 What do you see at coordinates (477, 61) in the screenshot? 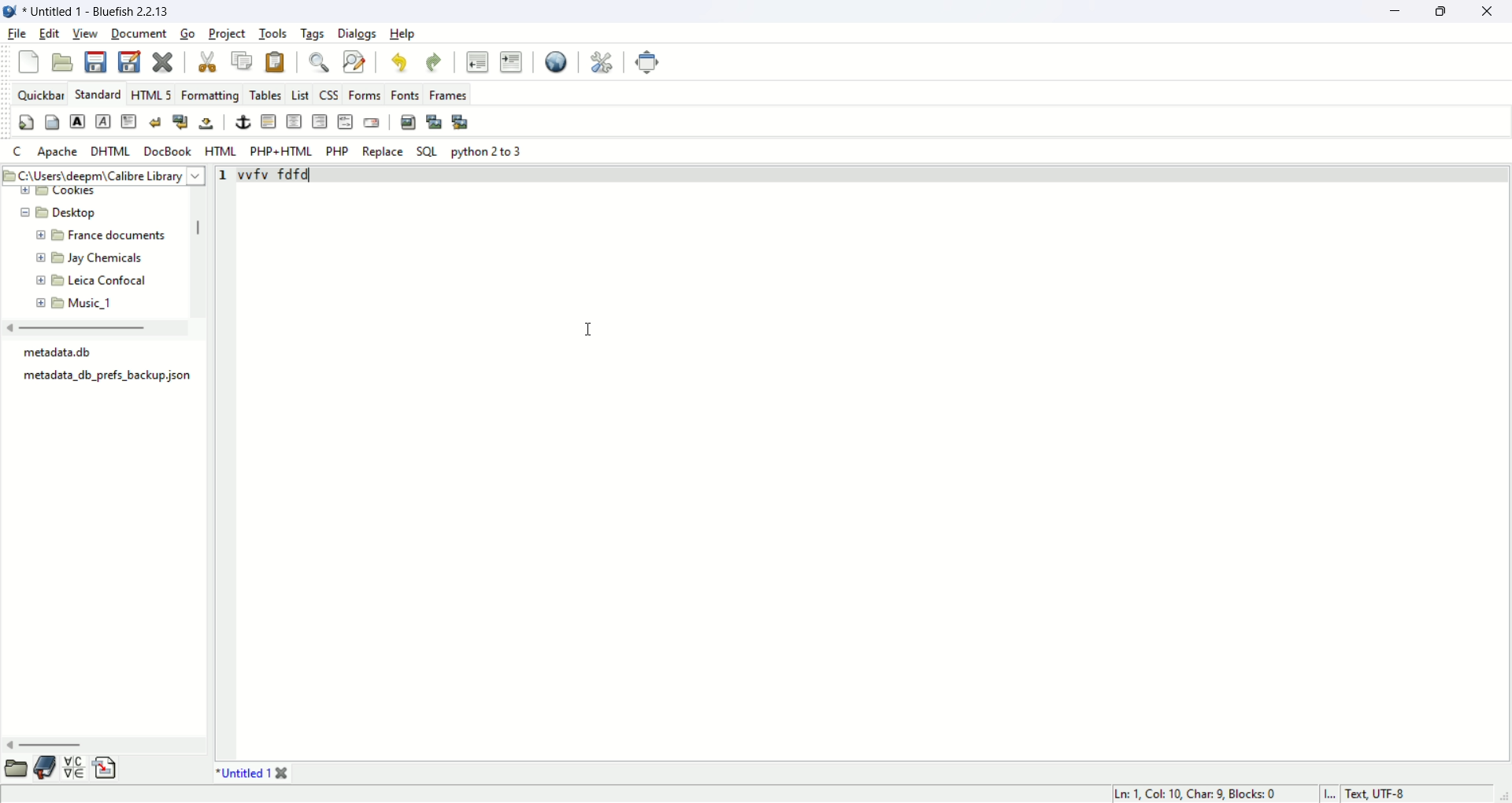
I see `unindent` at bounding box center [477, 61].